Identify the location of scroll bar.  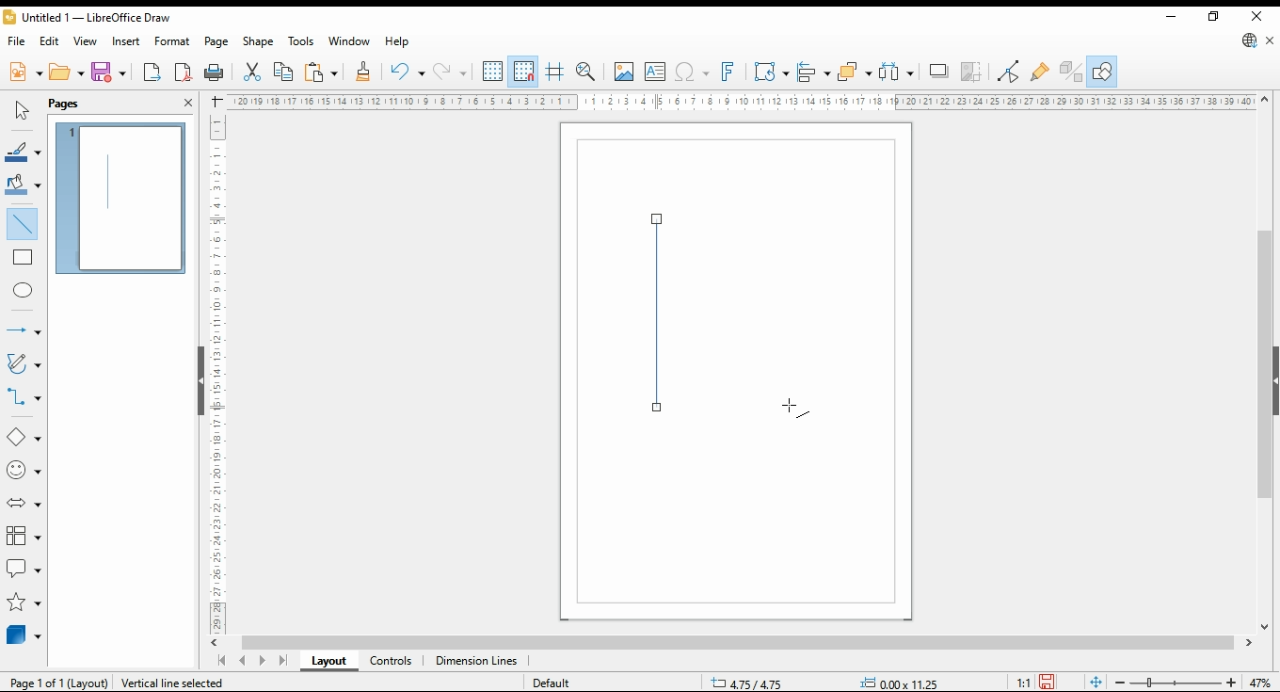
(193, 379).